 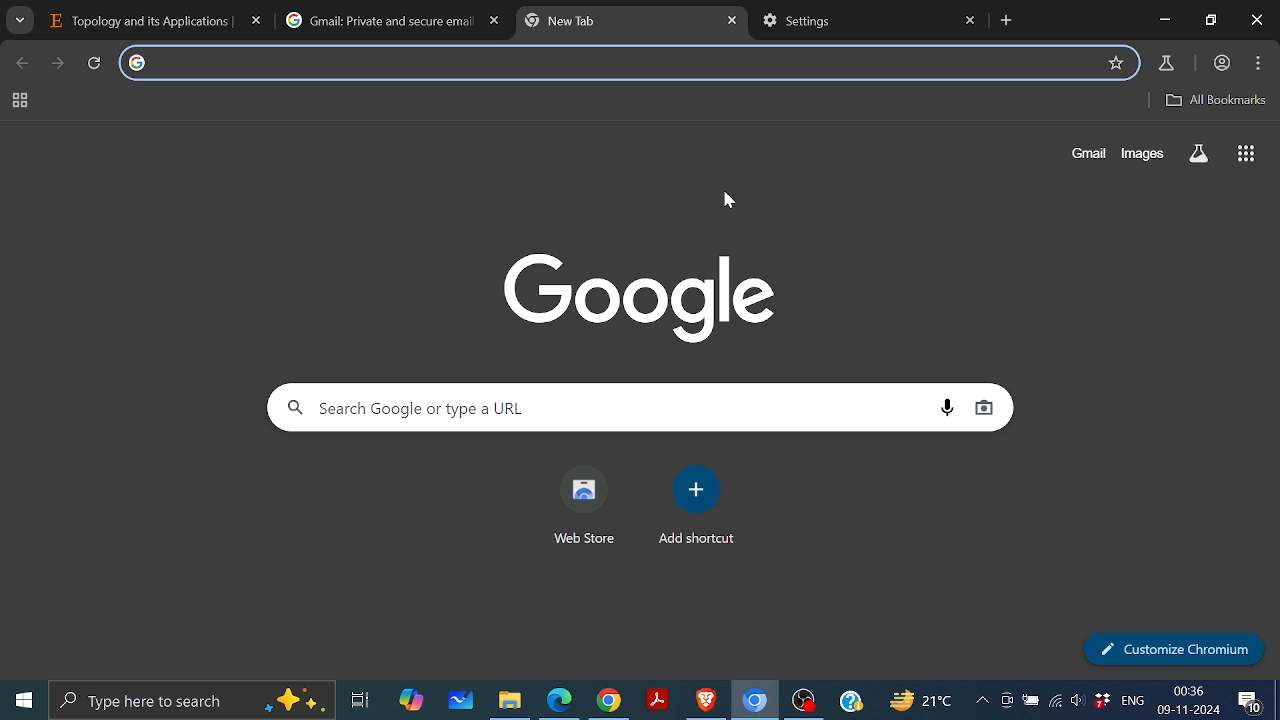 What do you see at coordinates (1219, 63) in the screenshot?
I see `Work` at bounding box center [1219, 63].